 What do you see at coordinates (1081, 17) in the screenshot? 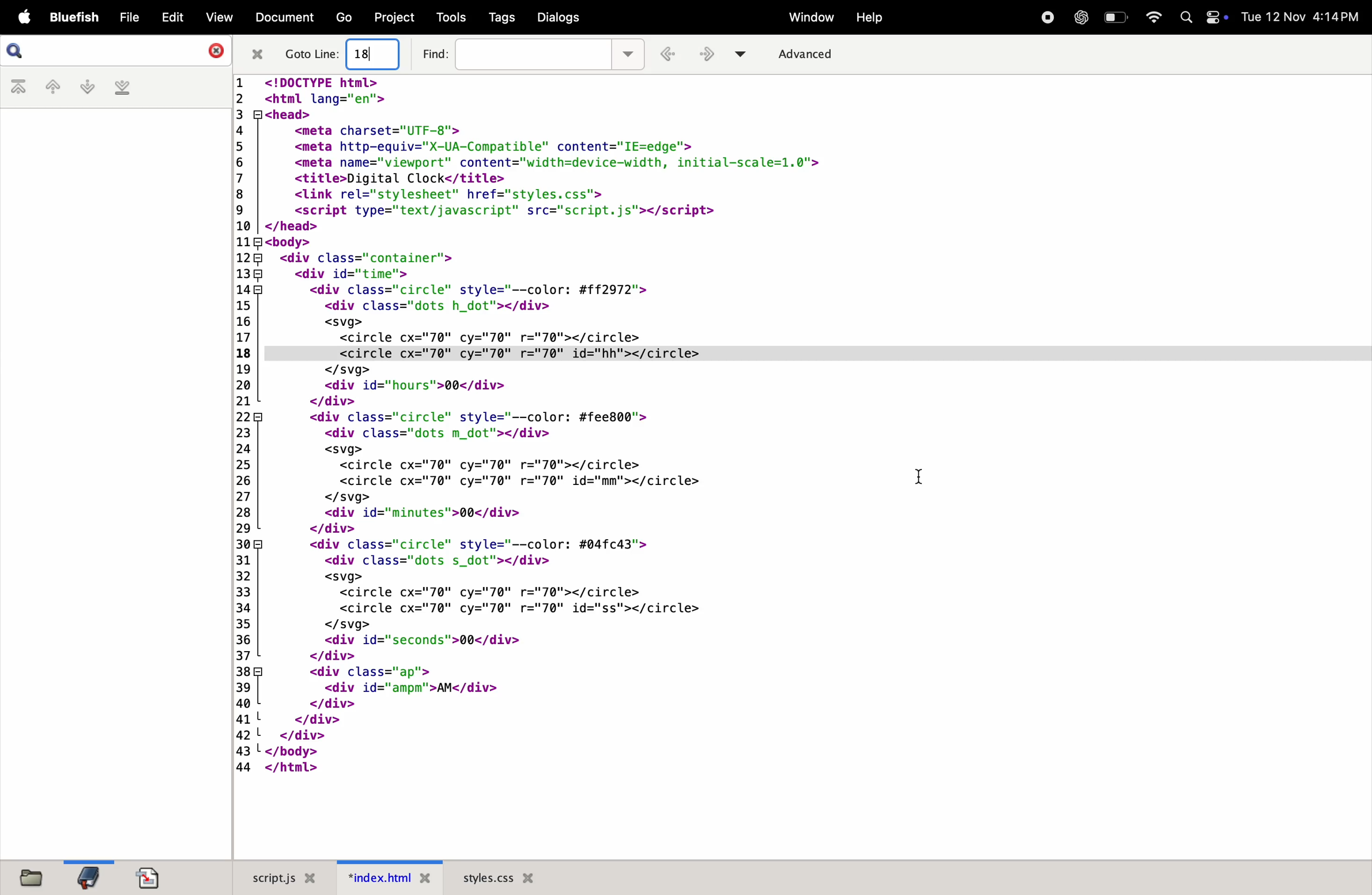
I see `chatgpt` at bounding box center [1081, 17].